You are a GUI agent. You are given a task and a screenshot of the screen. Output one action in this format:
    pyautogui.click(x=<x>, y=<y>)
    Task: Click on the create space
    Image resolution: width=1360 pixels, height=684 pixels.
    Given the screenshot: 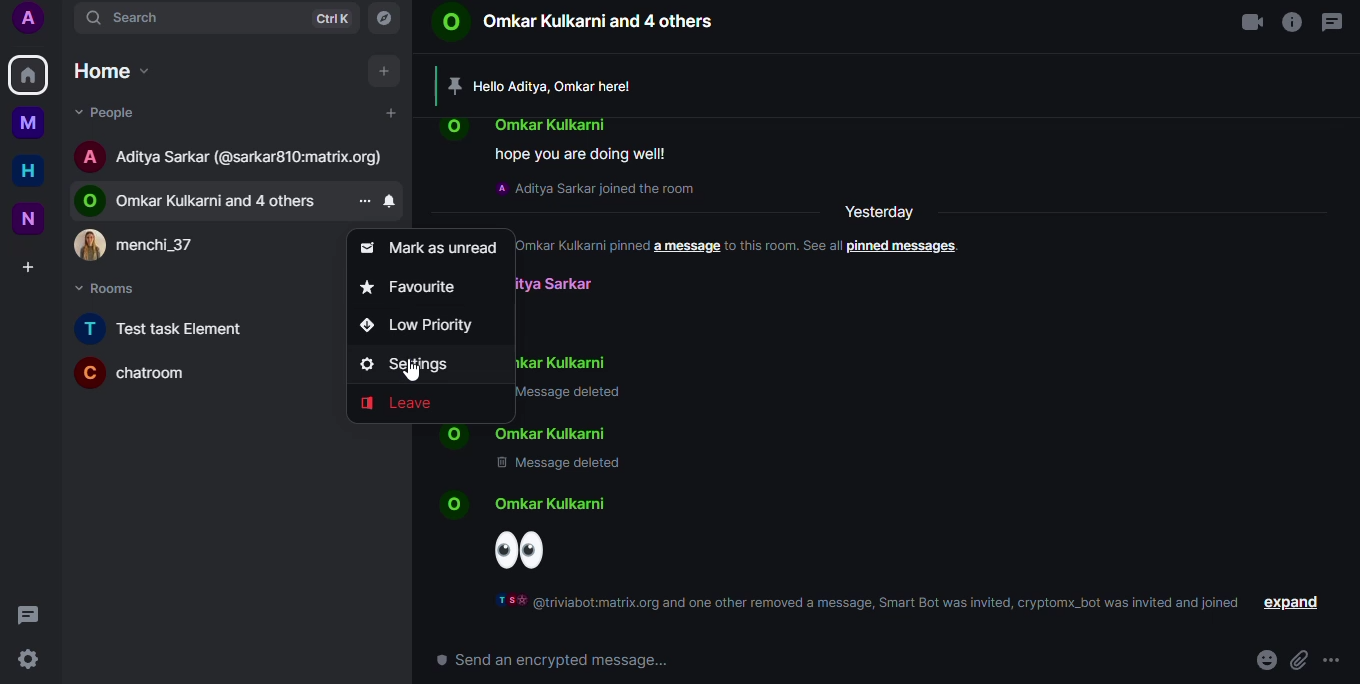 What is the action you would take?
    pyautogui.click(x=32, y=267)
    